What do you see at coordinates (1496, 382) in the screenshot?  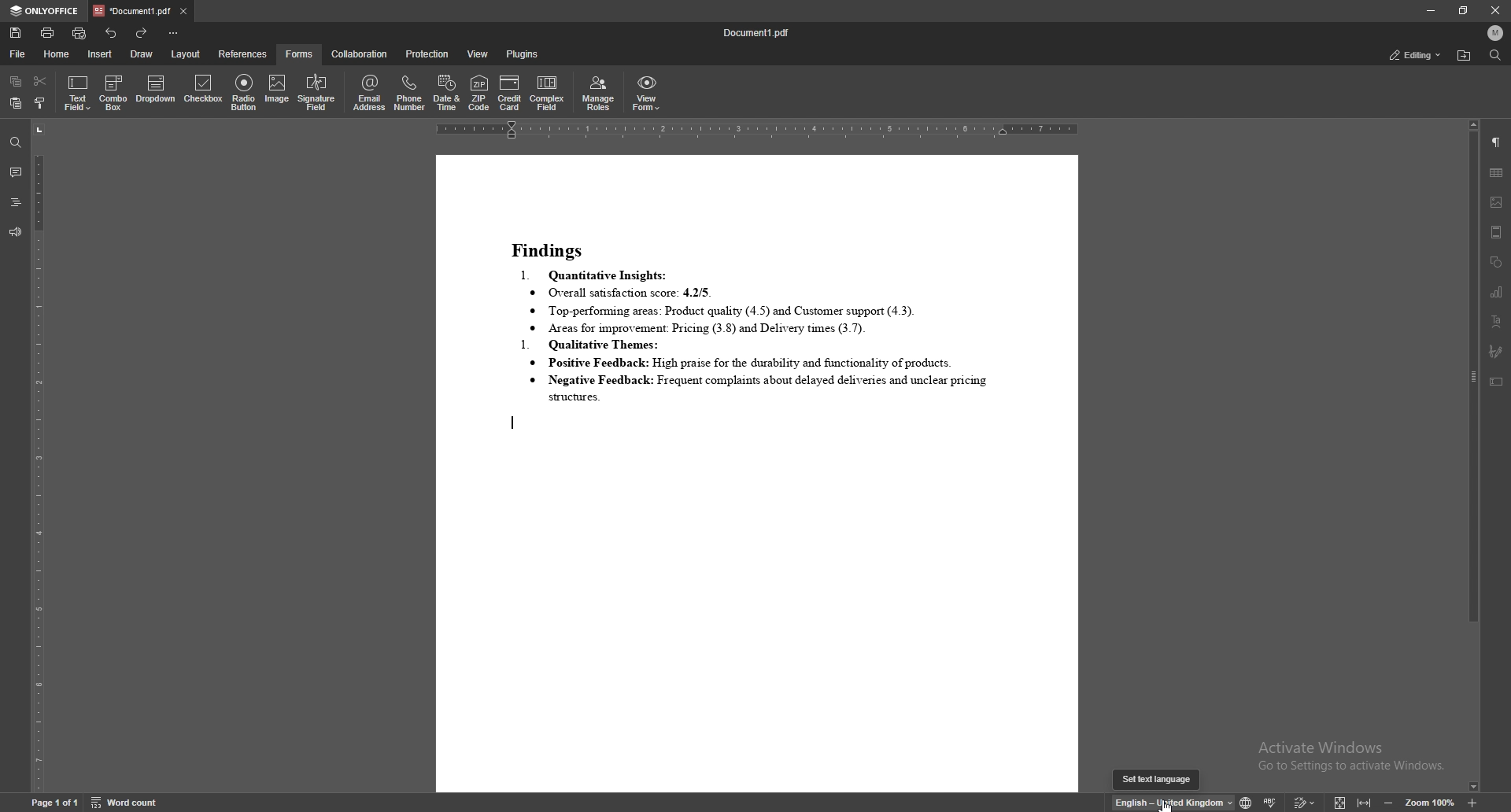 I see `text box` at bounding box center [1496, 382].